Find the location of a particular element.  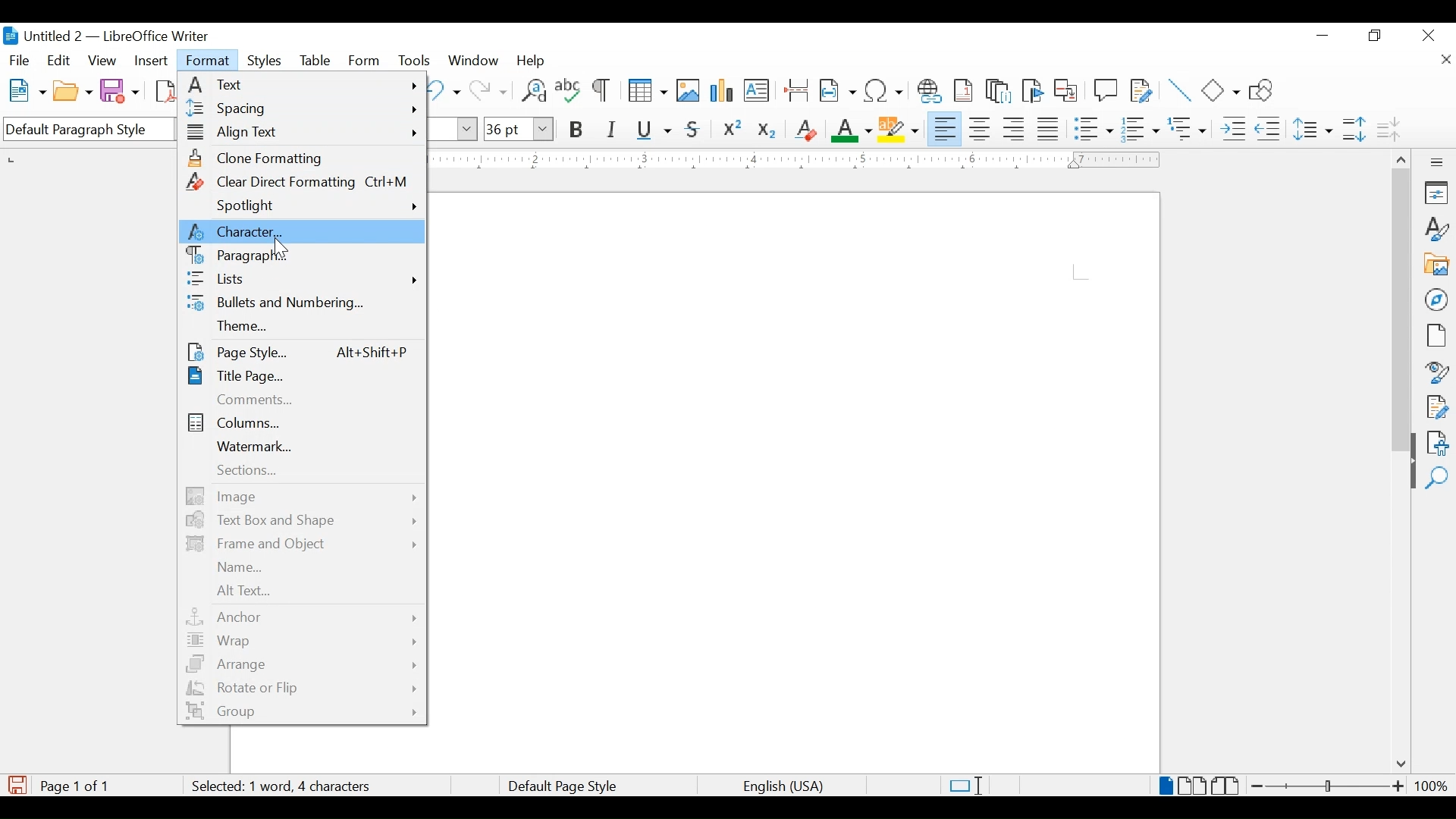

style inspector is located at coordinates (1438, 370).